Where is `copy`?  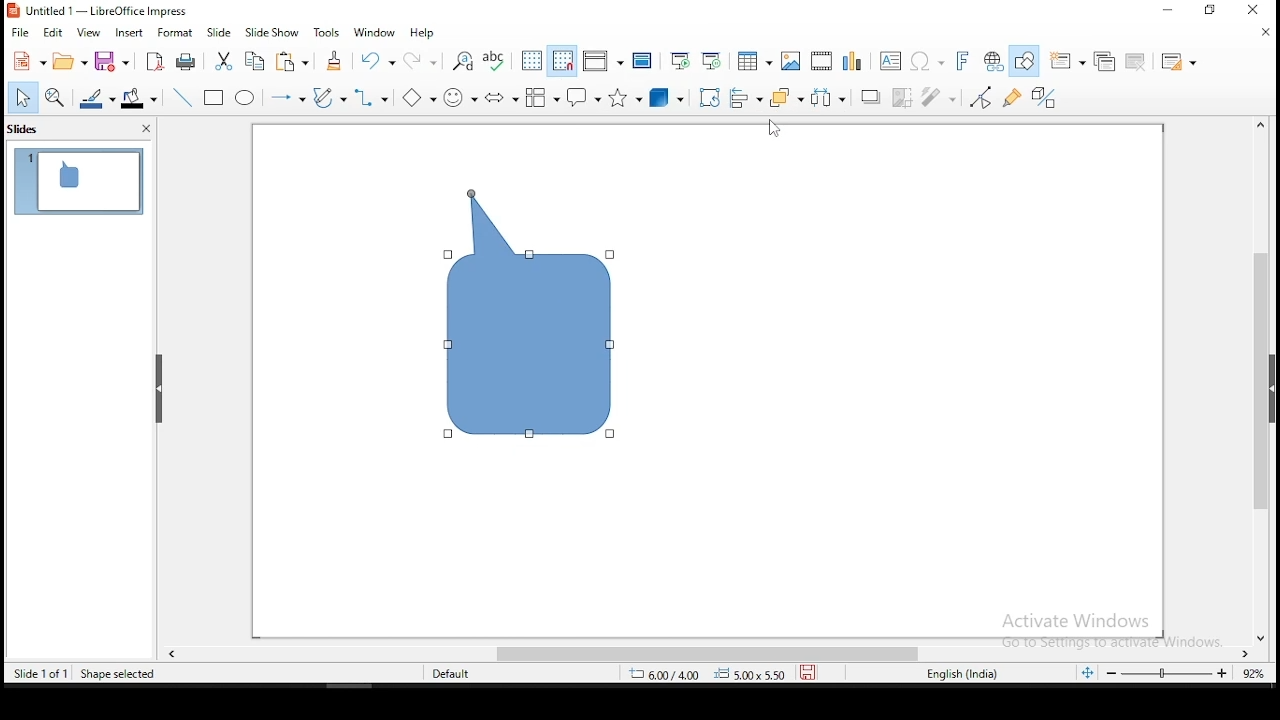 copy is located at coordinates (258, 60).